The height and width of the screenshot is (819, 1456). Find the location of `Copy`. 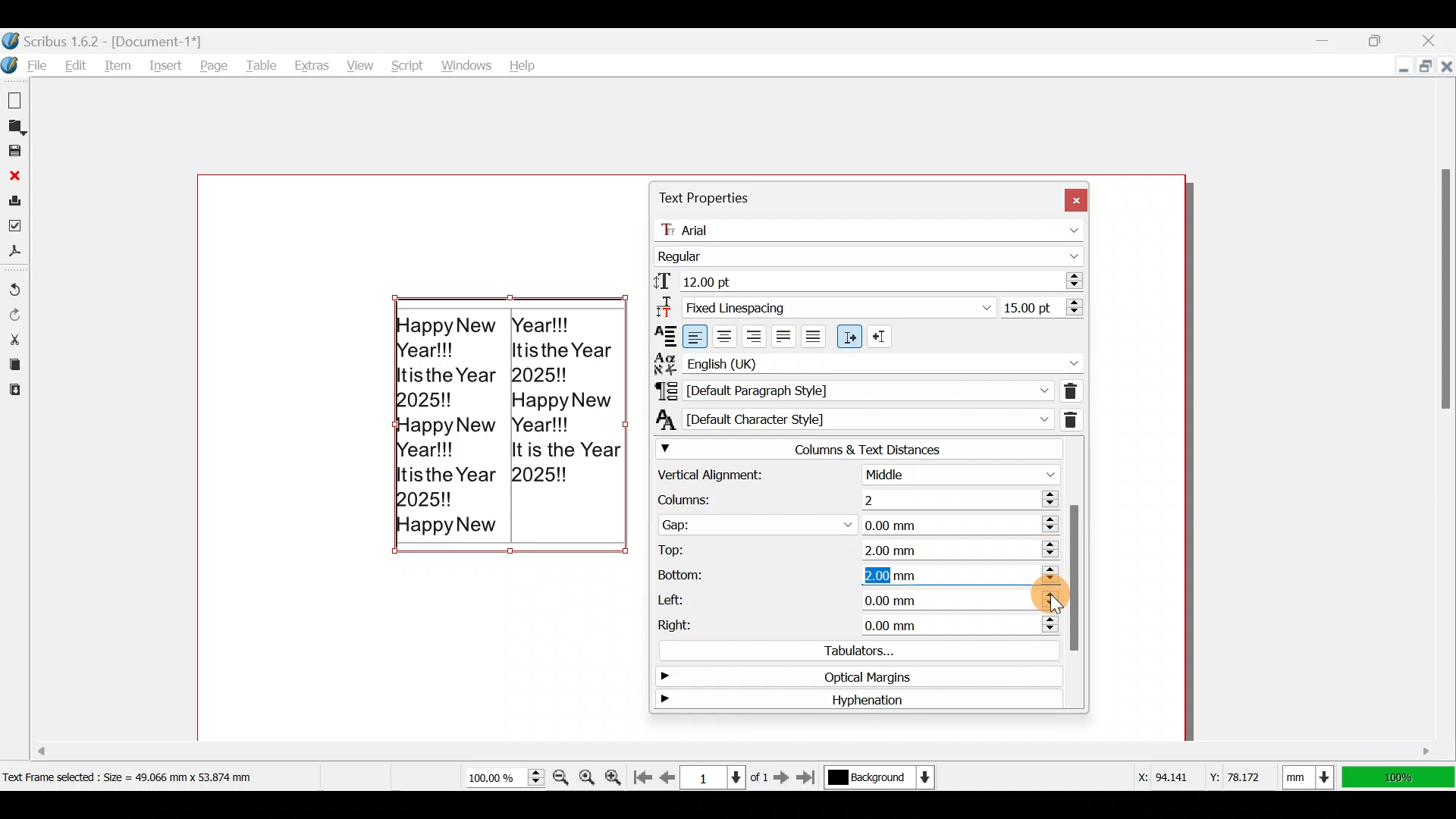

Copy is located at coordinates (13, 365).